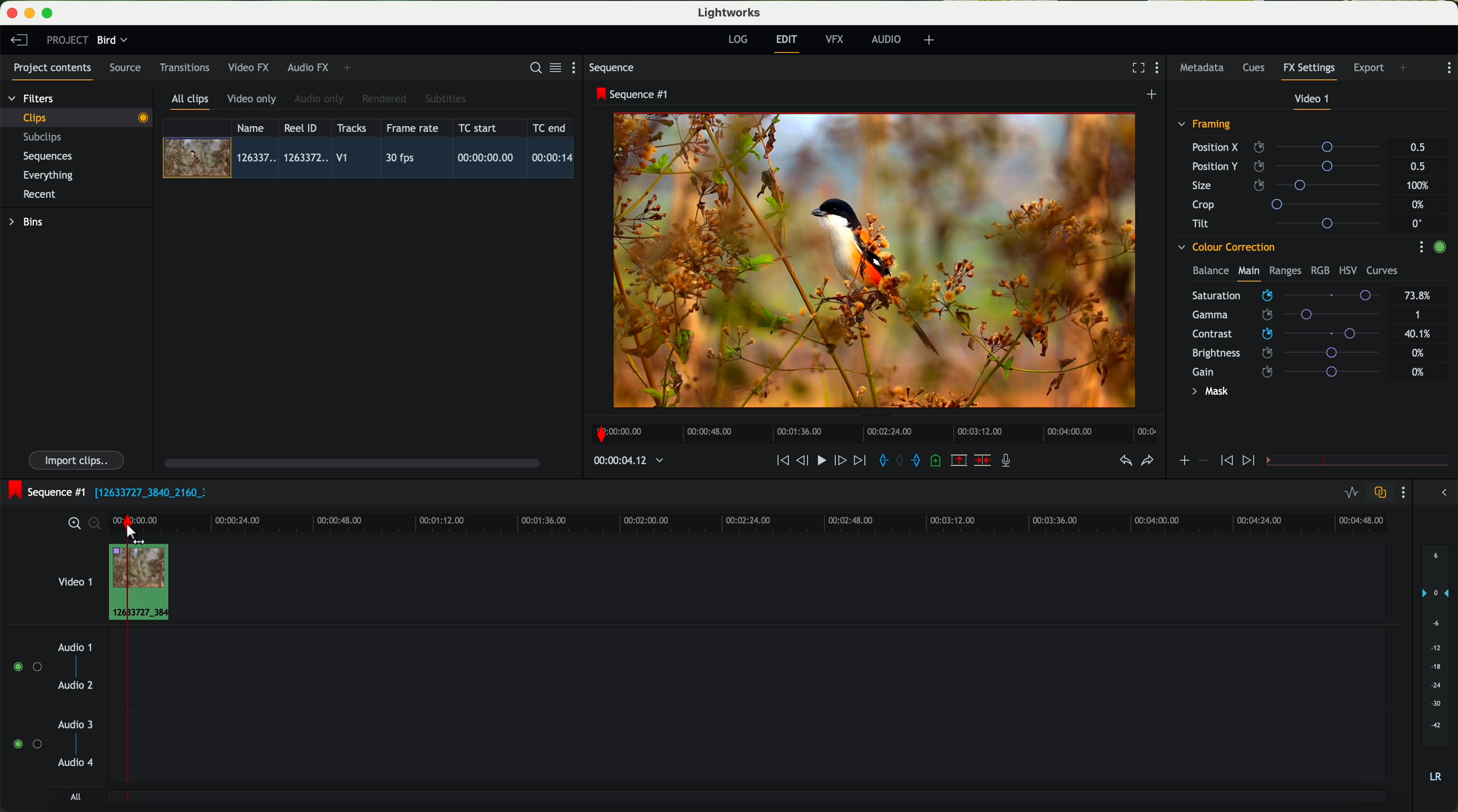 This screenshot has height=812, width=1458. What do you see at coordinates (191, 102) in the screenshot?
I see `all clips` at bounding box center [191, 102].